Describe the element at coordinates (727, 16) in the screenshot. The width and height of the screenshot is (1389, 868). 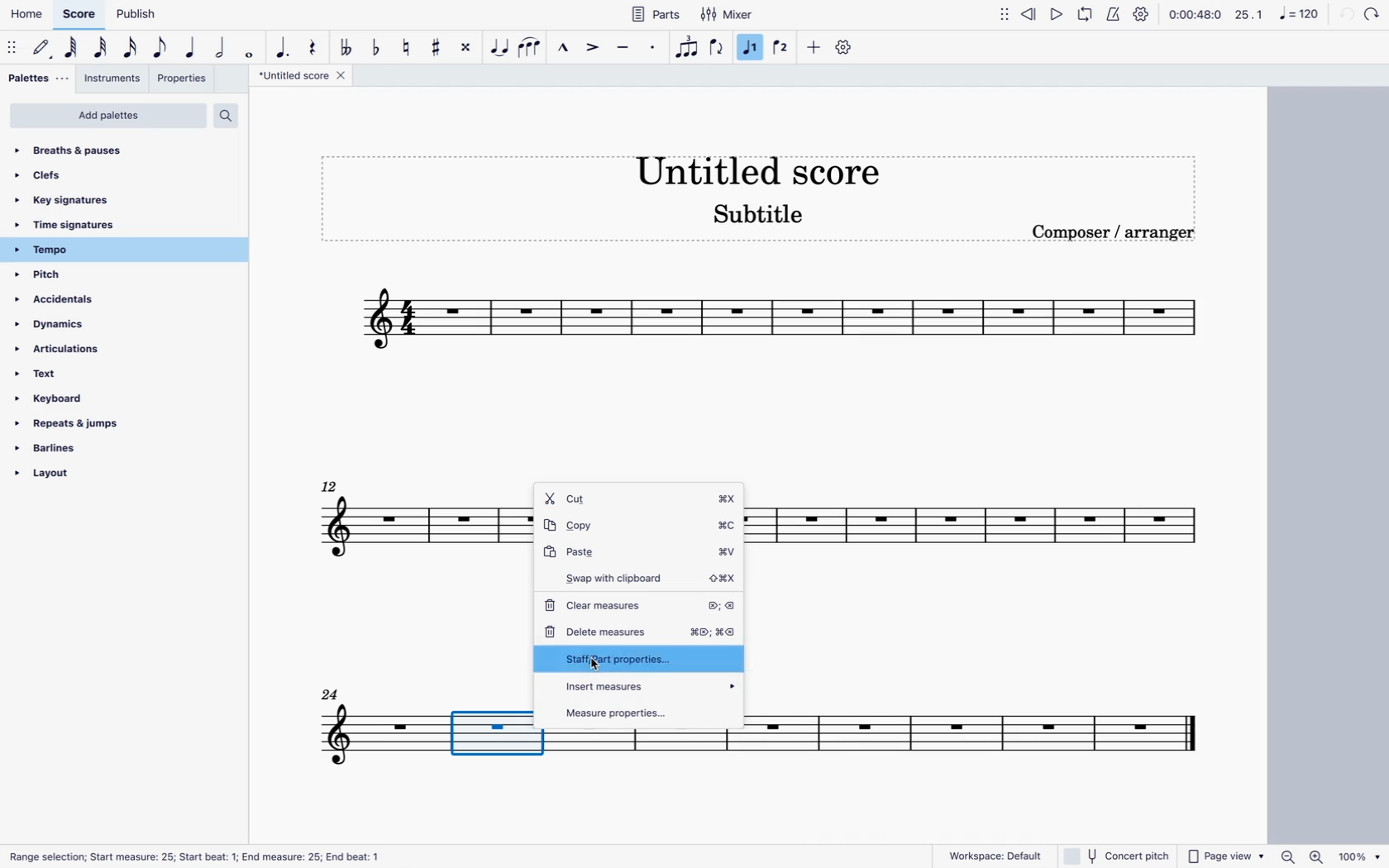
I see `mixer` at that location.